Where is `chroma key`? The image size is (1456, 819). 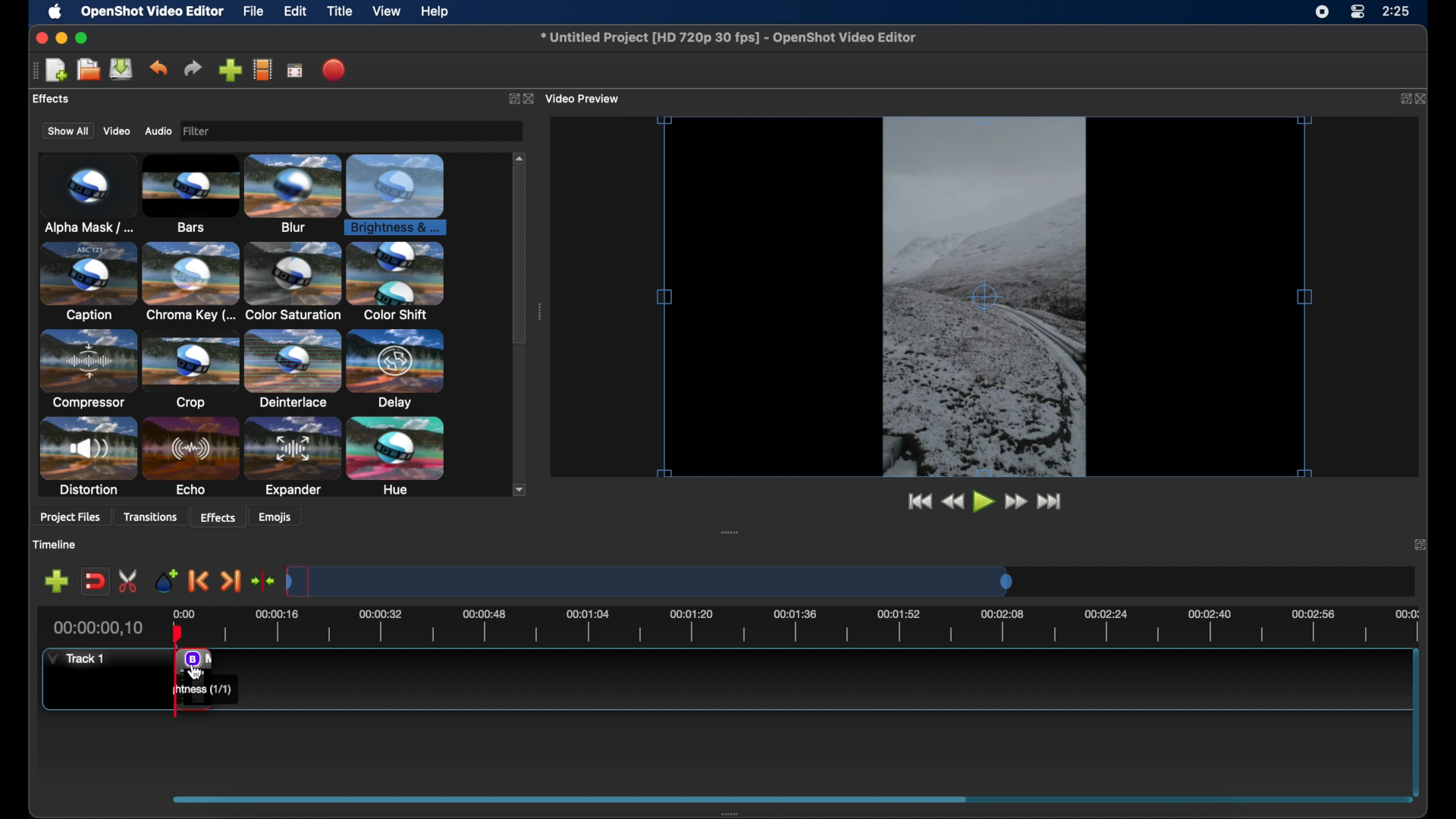
chroma key is located at coordinates (190, 281).